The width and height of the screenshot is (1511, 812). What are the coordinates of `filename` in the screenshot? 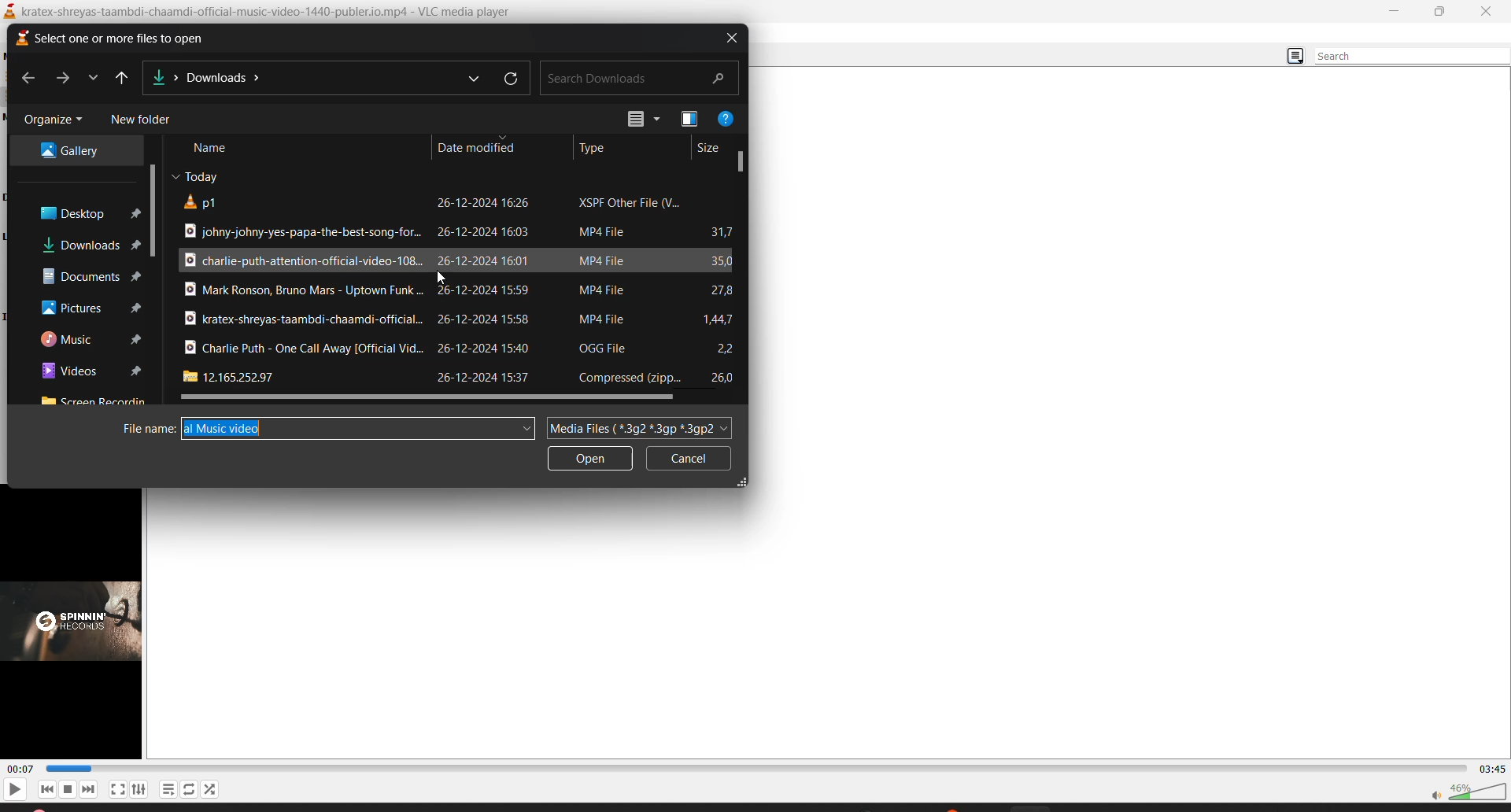 It's located at (324, 430).